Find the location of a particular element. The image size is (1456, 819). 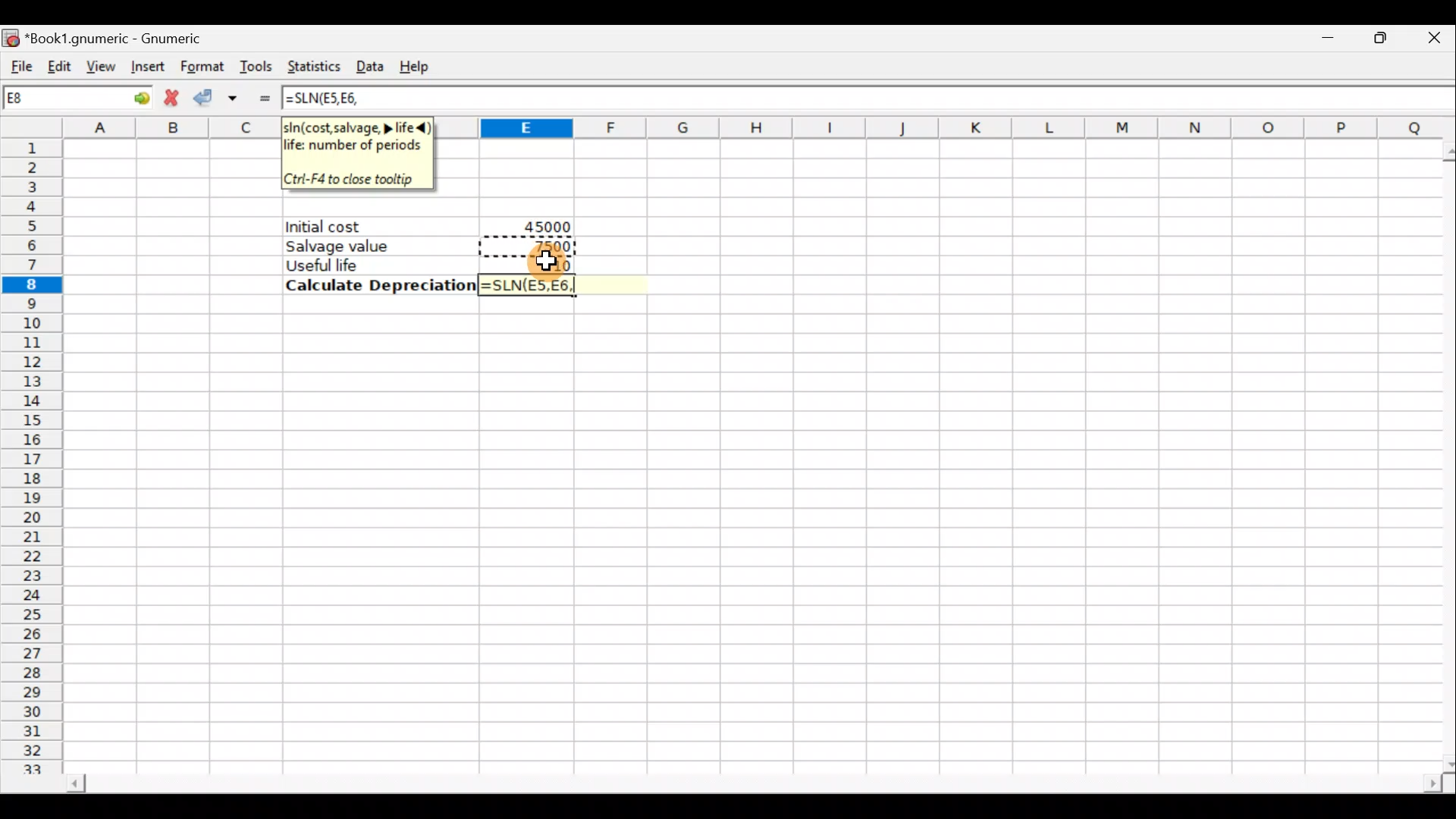

Statistics is located at coordinates (314, 63).